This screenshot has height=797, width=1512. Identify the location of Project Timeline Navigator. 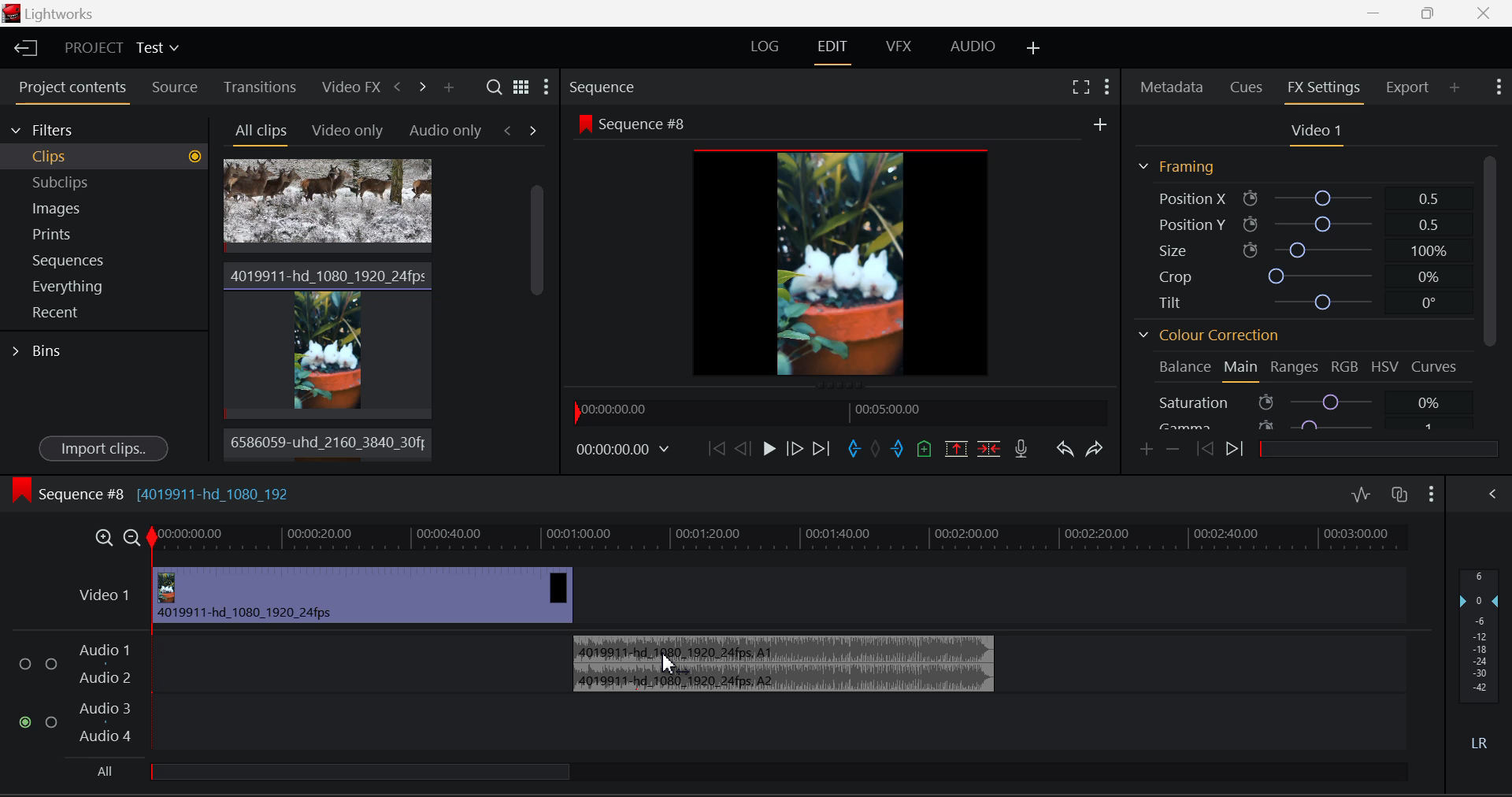
(841, 409).